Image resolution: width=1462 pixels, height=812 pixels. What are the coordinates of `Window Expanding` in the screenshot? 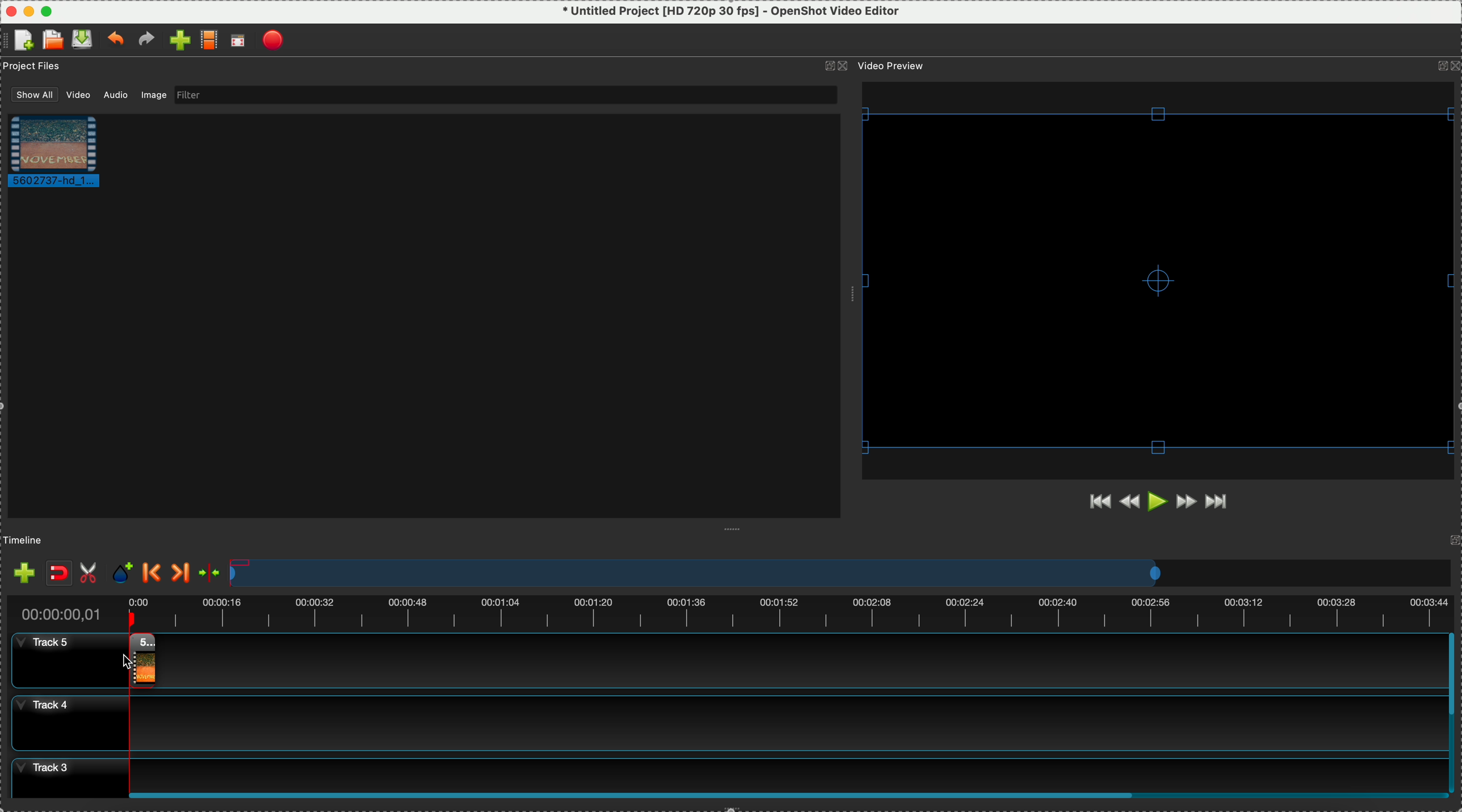 It's located at (851, 293).